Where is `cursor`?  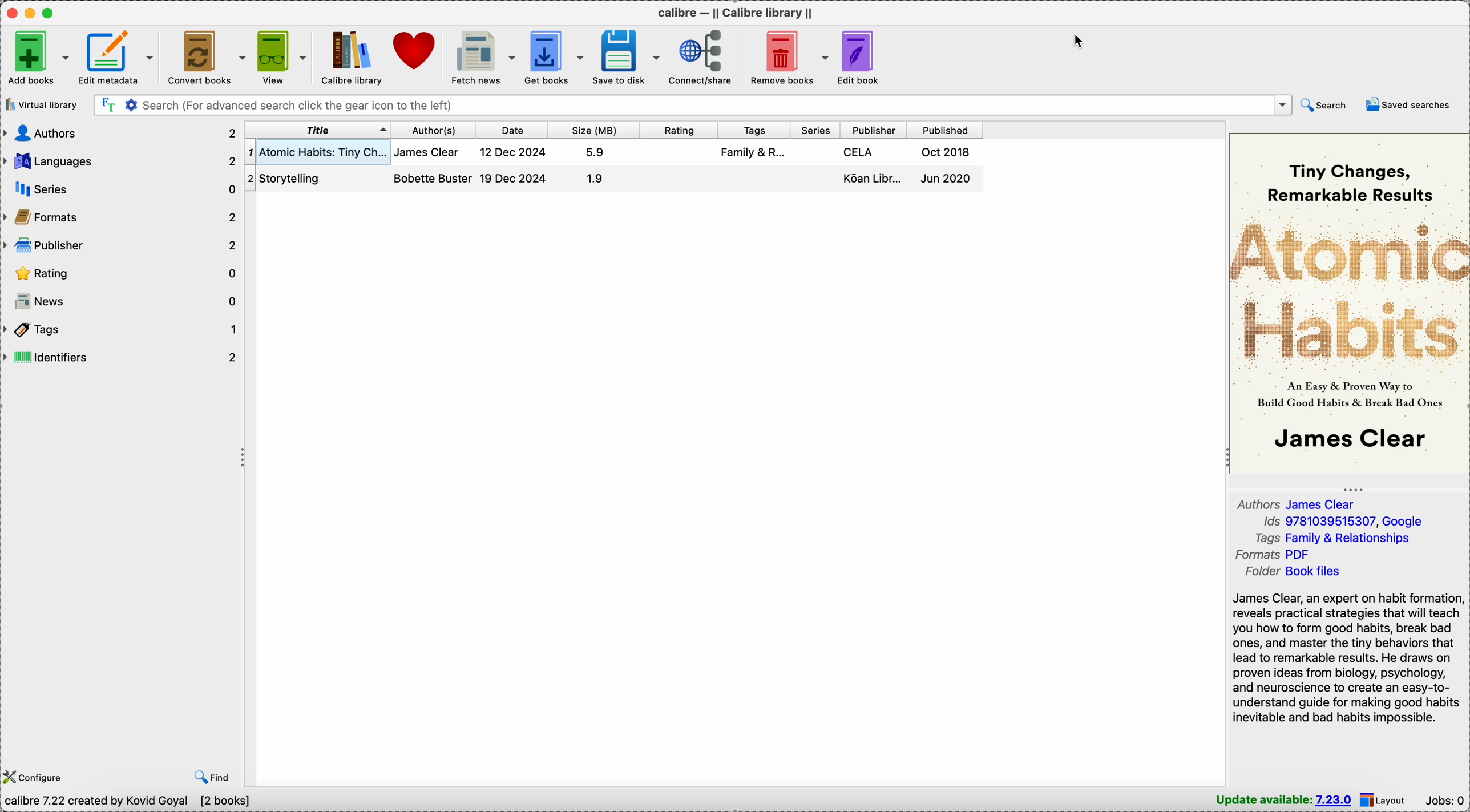 cursor is located at coordinates (1081, 41).